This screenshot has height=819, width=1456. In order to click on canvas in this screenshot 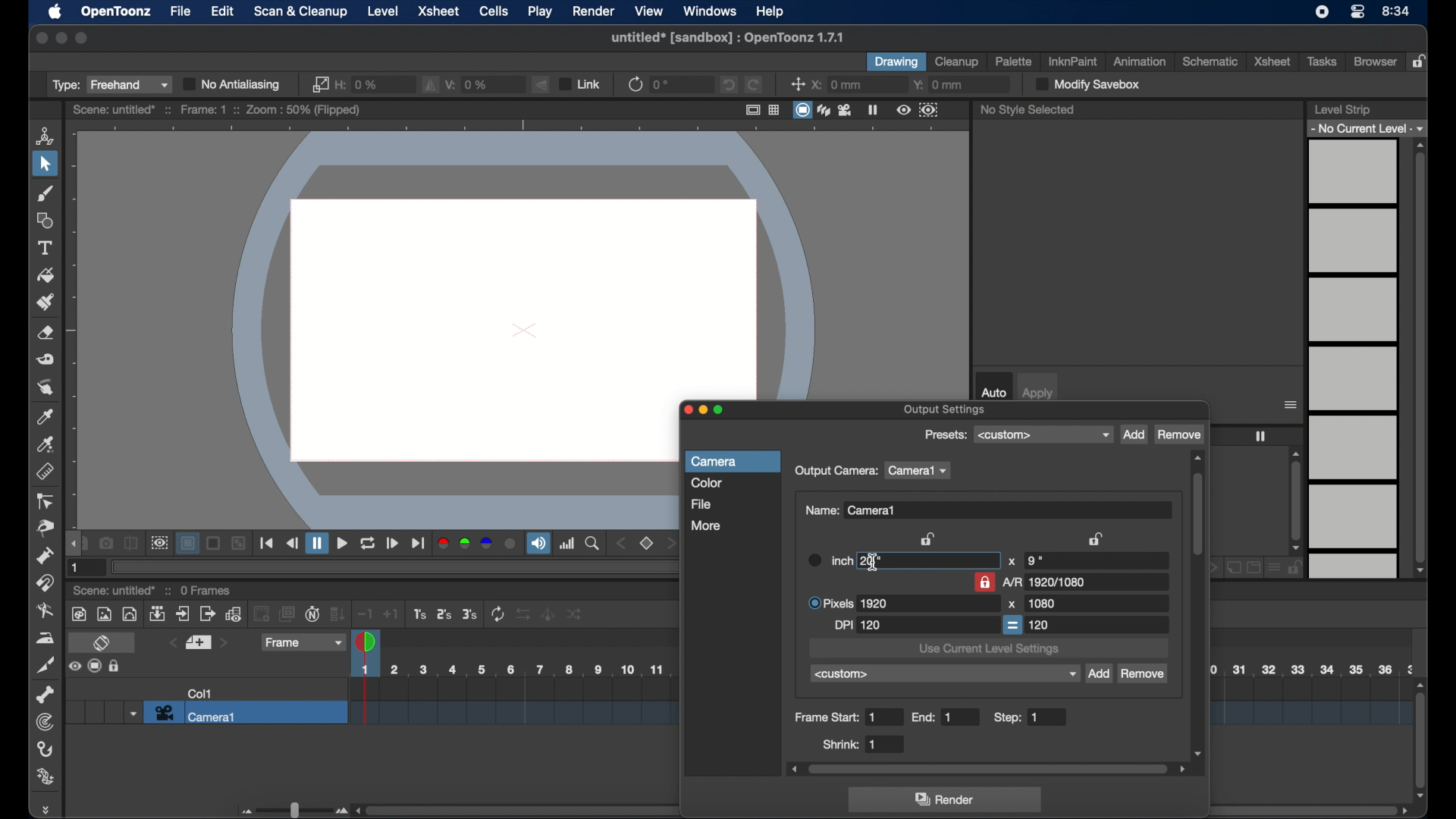, I will do `click(519, 262)`.